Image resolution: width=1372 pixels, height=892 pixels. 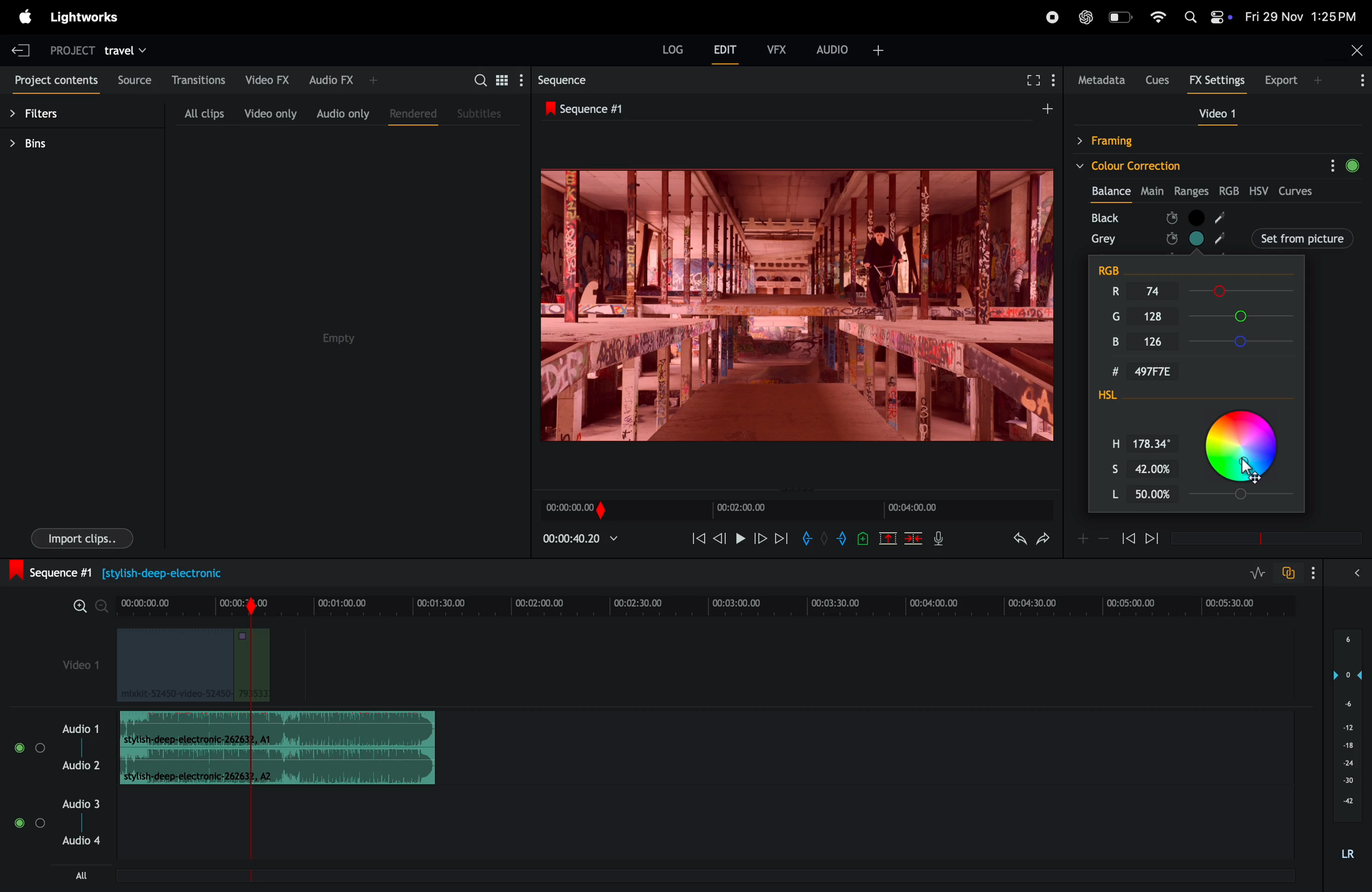 I want to click on project contents, so click(x=55, y=82).